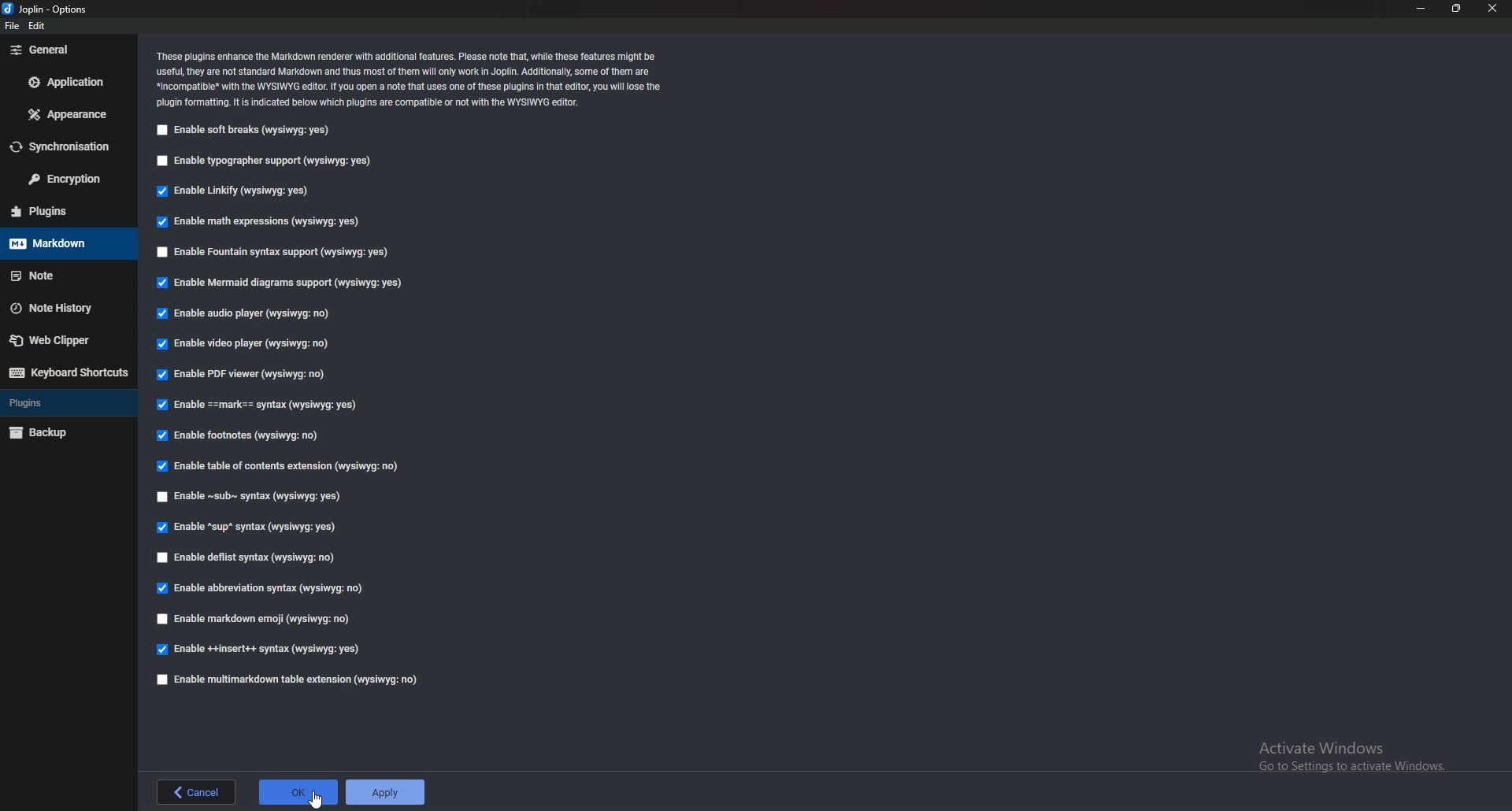  What do you see at coordinates (69, 373) in the screenshot?
I see `keyboard shortcuts` at bounding box center [69, 373].